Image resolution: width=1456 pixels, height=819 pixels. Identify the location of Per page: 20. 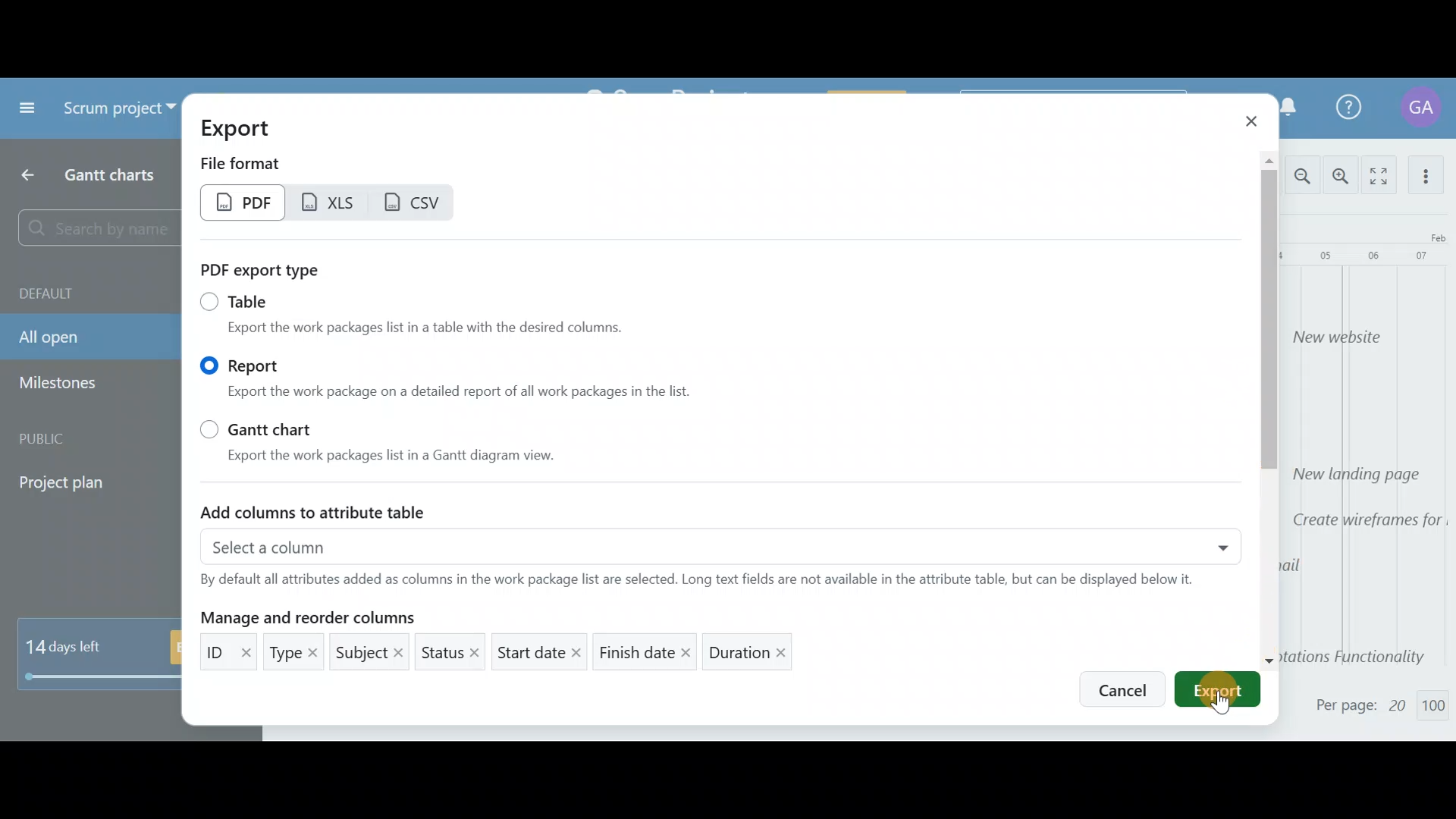
(1360, 702).